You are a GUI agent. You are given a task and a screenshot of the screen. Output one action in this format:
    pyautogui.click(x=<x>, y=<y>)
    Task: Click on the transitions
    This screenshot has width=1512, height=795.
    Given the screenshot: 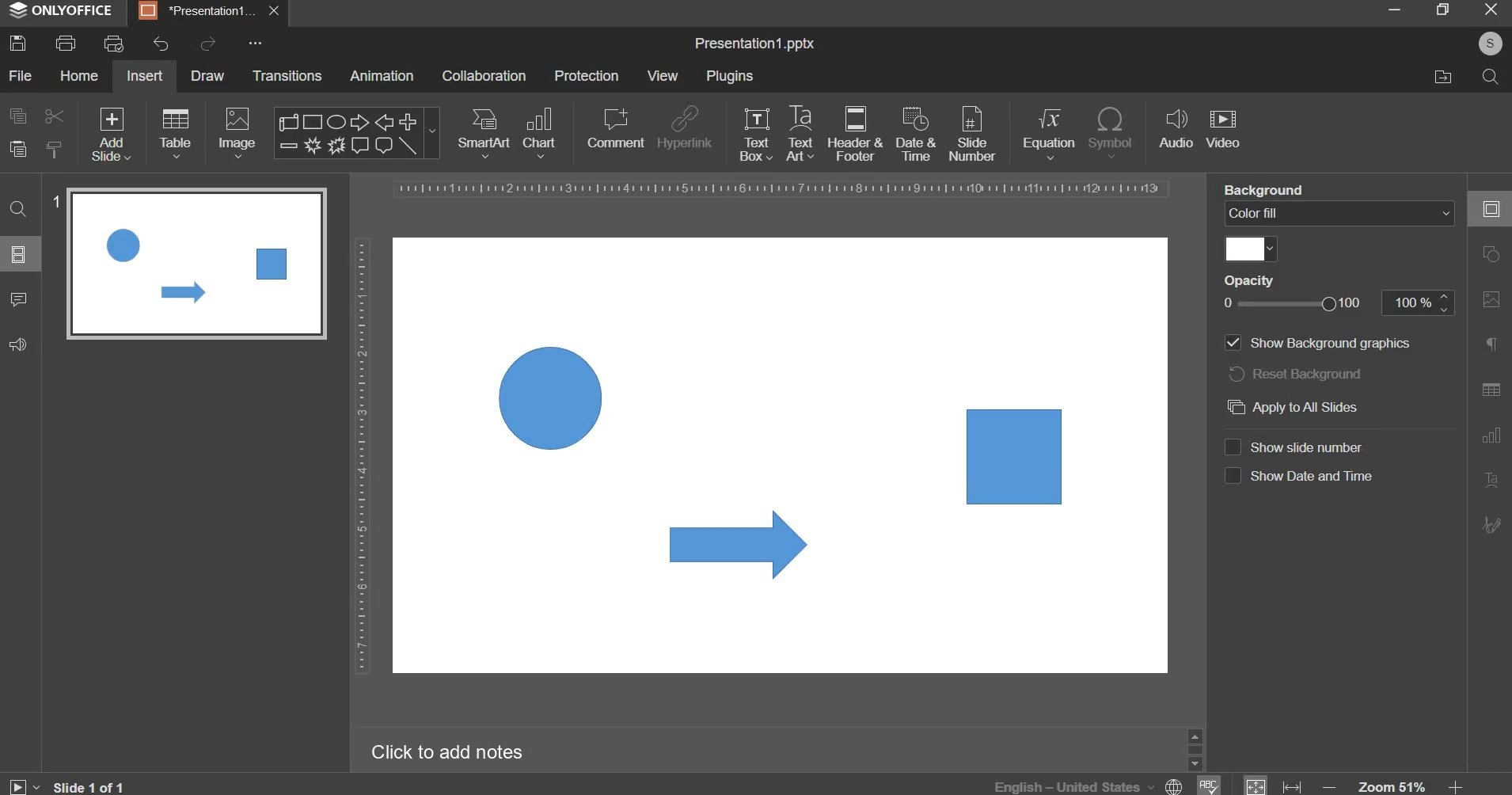 What is the action you would take?
    pyautogui.click(x=288, y=75)
    